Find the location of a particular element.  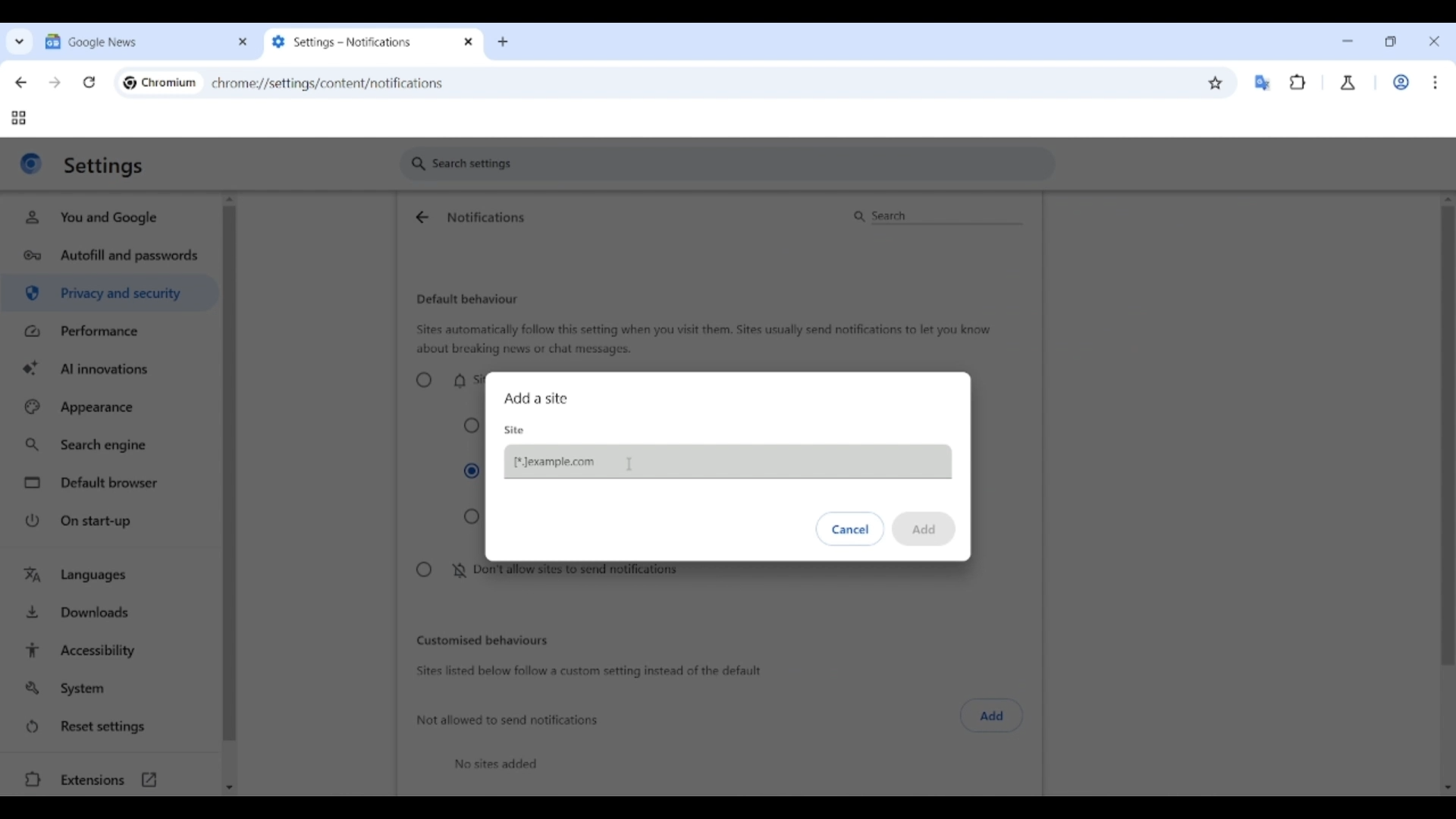

Customize and control Chromium is located at coordinates (1435, 82).